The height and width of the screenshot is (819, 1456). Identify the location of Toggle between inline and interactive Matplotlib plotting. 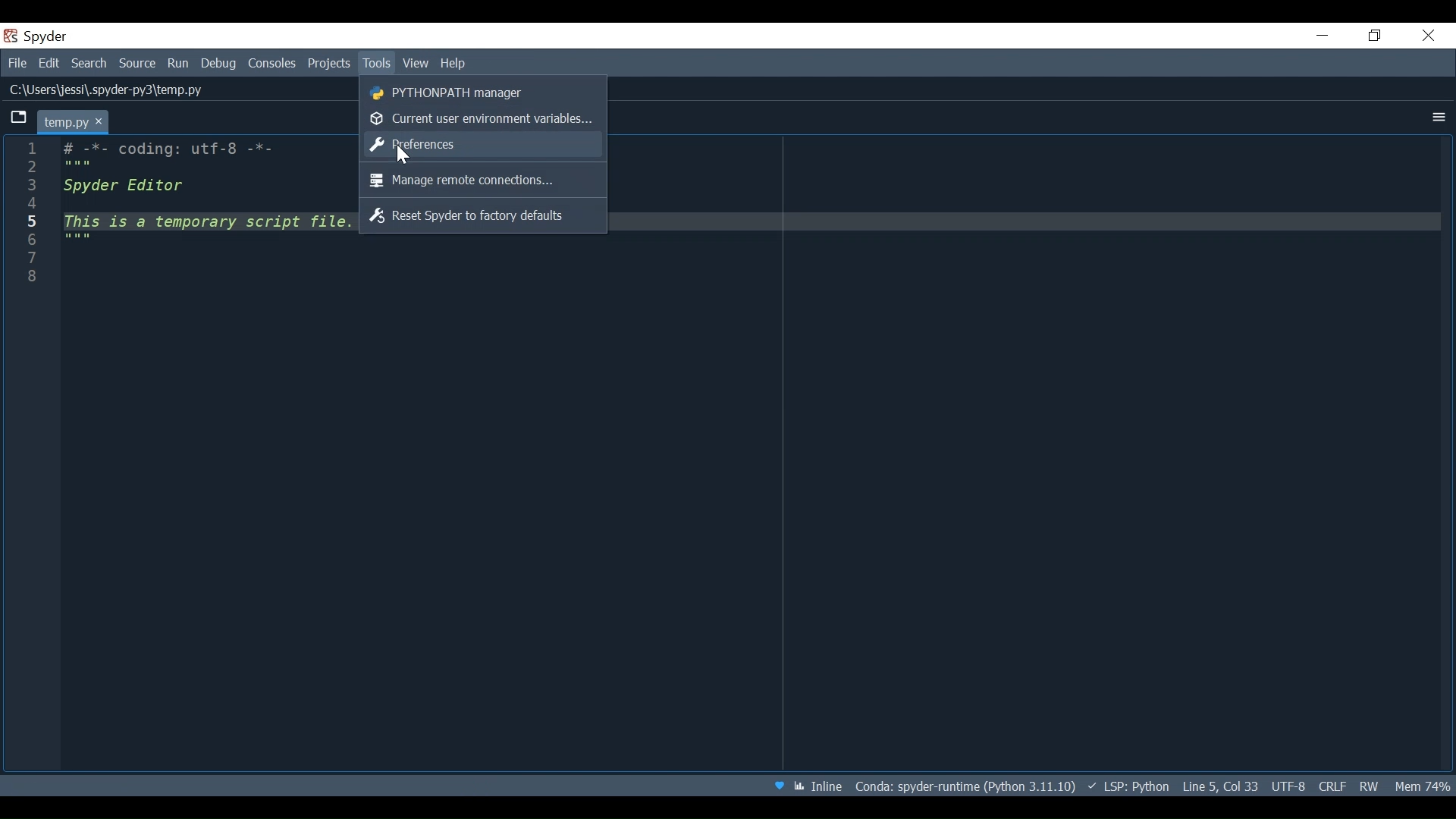
(821, 785).